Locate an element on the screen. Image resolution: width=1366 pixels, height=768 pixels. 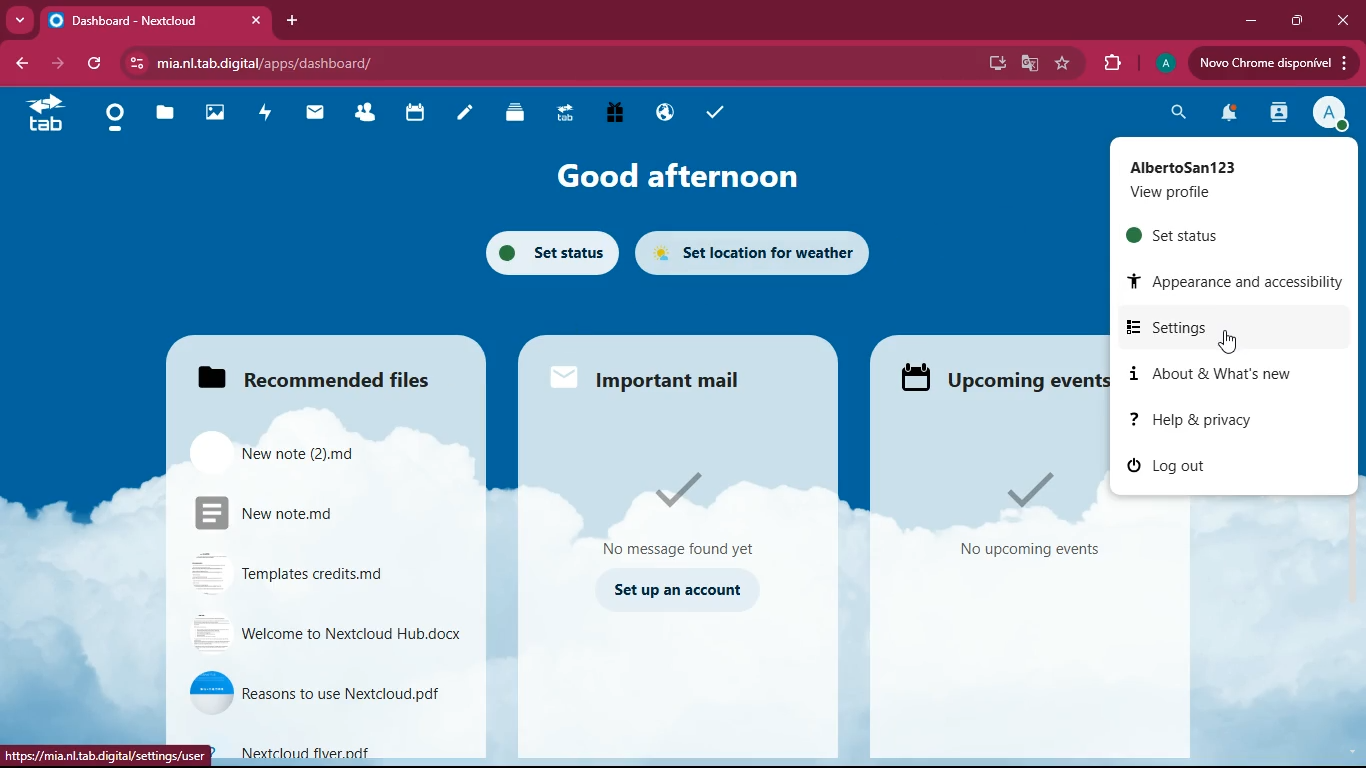
back is located at coordinates (21, 65).